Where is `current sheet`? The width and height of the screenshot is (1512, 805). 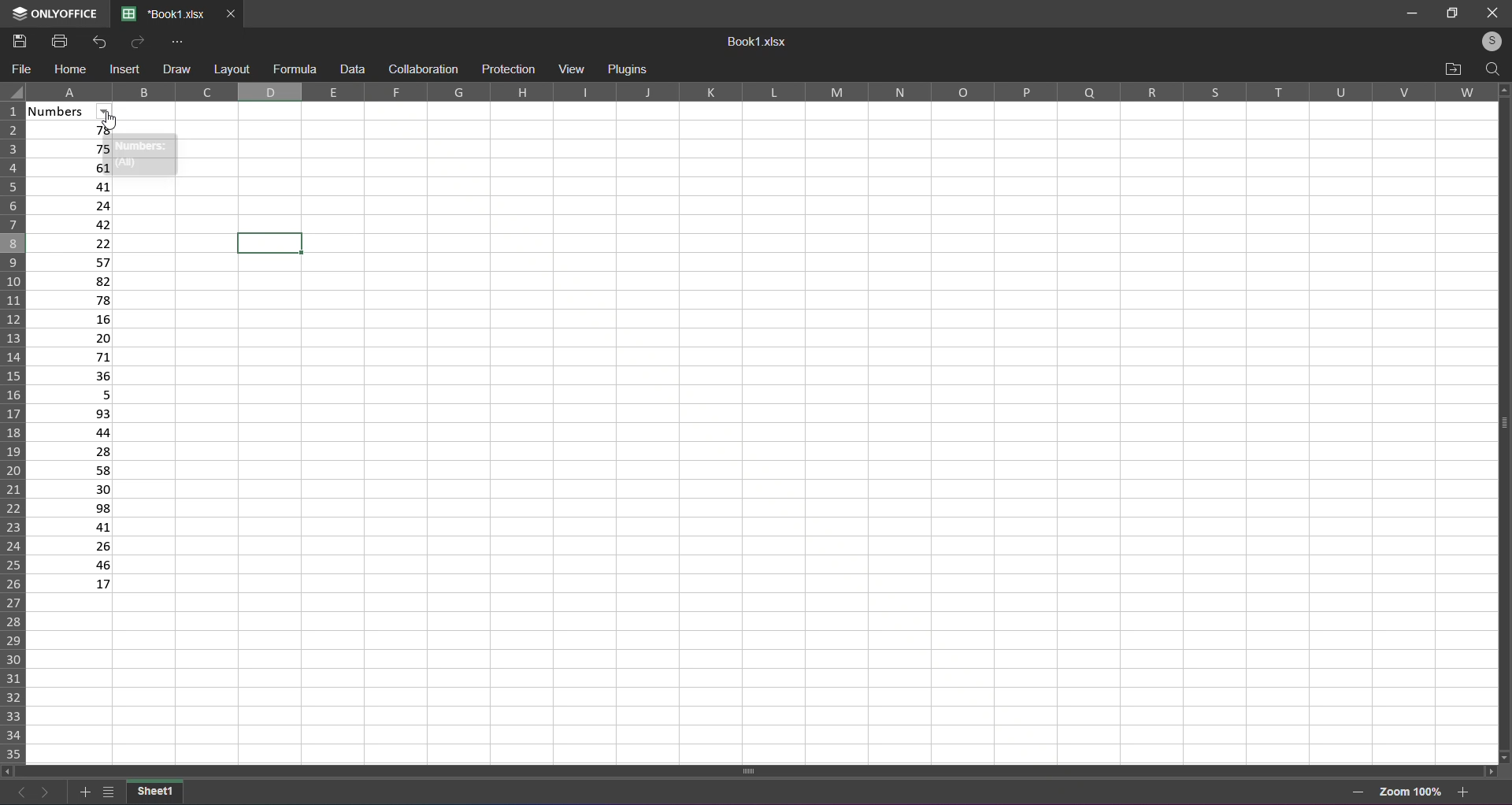 current sheet is located at coordinates (155, 791).